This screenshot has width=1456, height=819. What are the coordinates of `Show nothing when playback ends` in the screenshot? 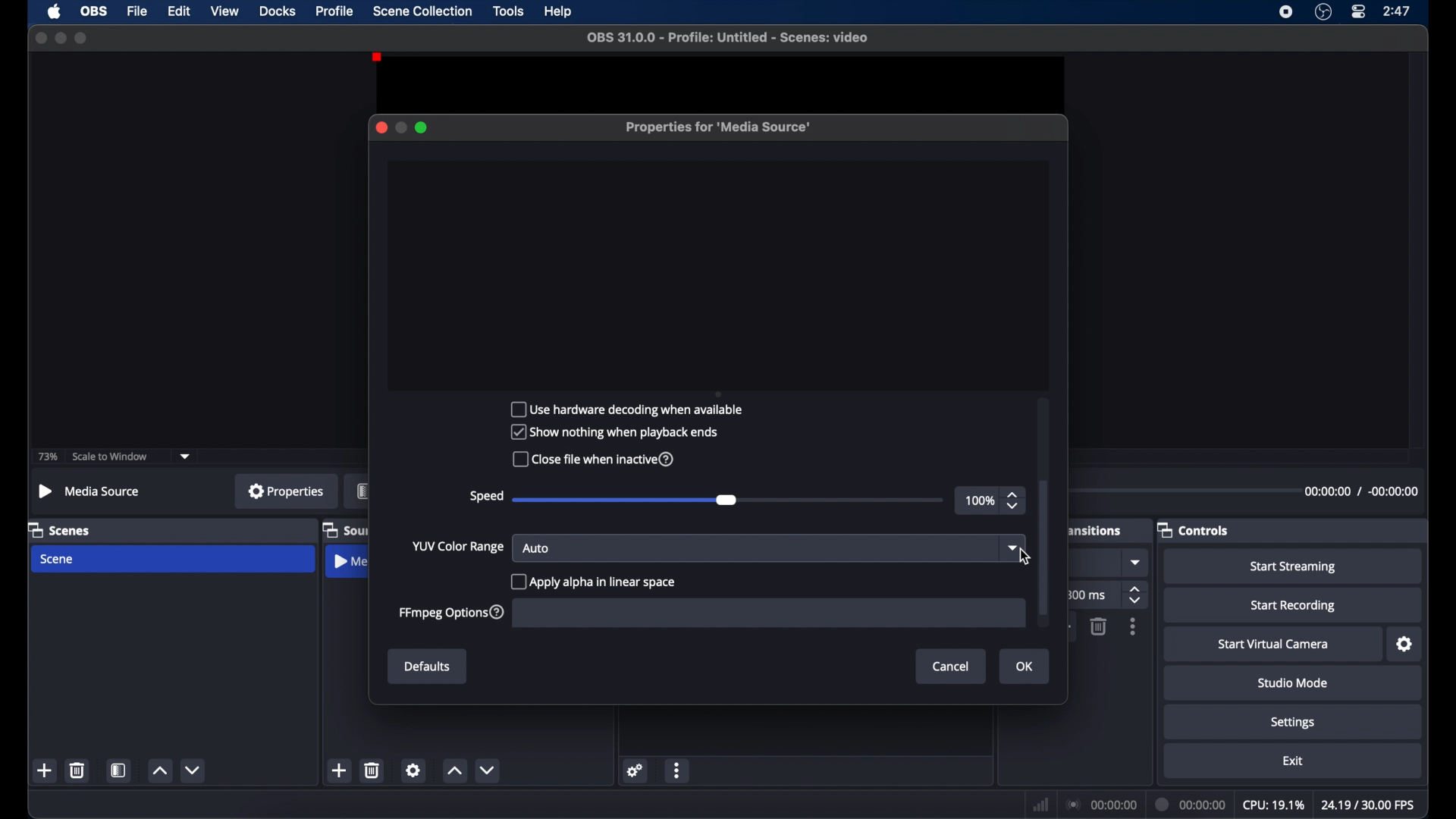 It's located at (618, 431).